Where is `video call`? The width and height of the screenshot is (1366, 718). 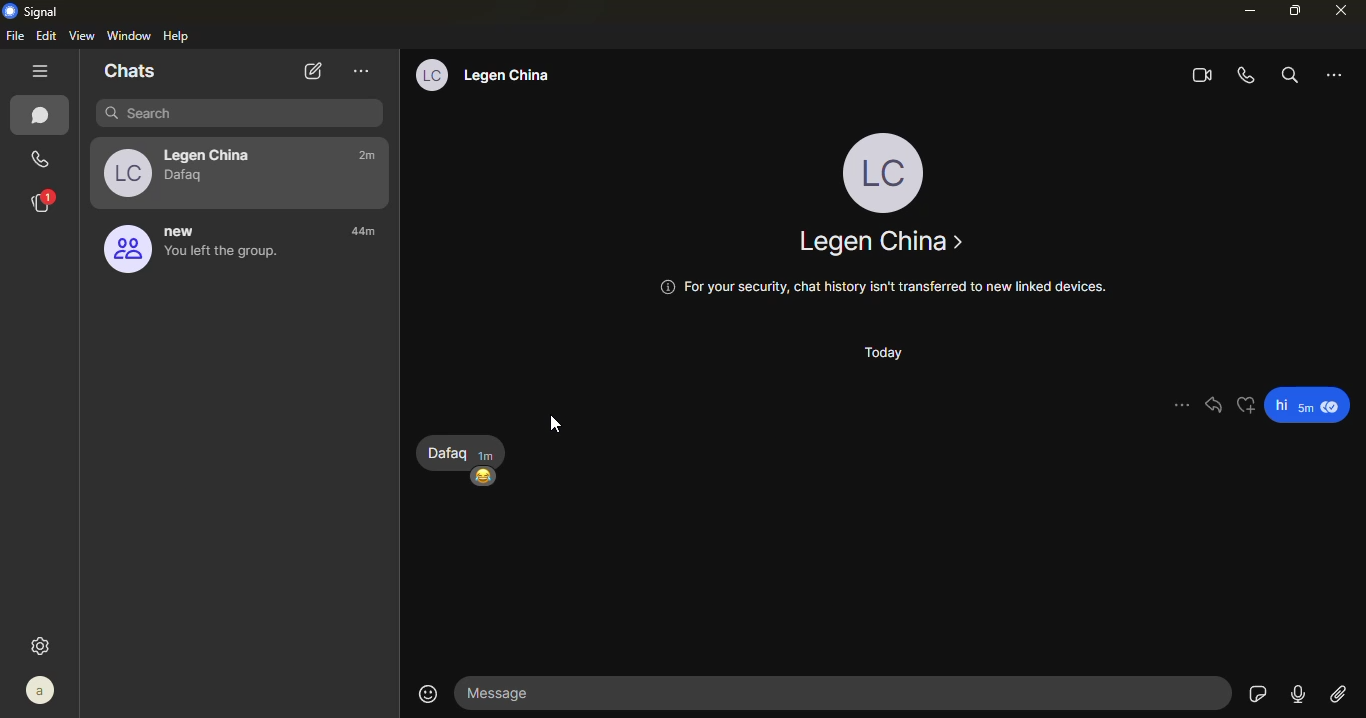
video call is located at coordinates (1199, 77).